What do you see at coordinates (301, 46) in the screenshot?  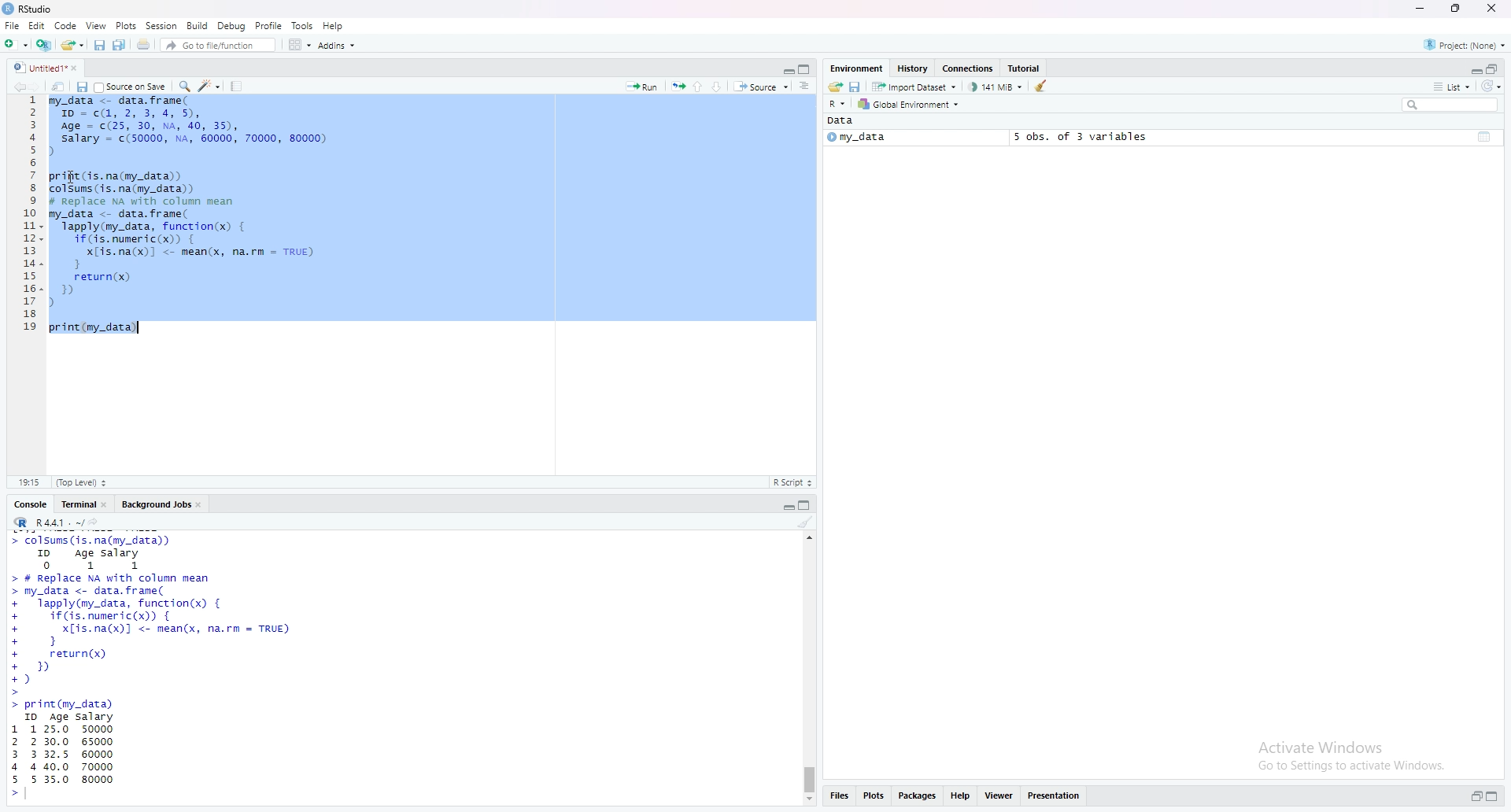 I see `workspace panes` at bounding box center [301, 46].